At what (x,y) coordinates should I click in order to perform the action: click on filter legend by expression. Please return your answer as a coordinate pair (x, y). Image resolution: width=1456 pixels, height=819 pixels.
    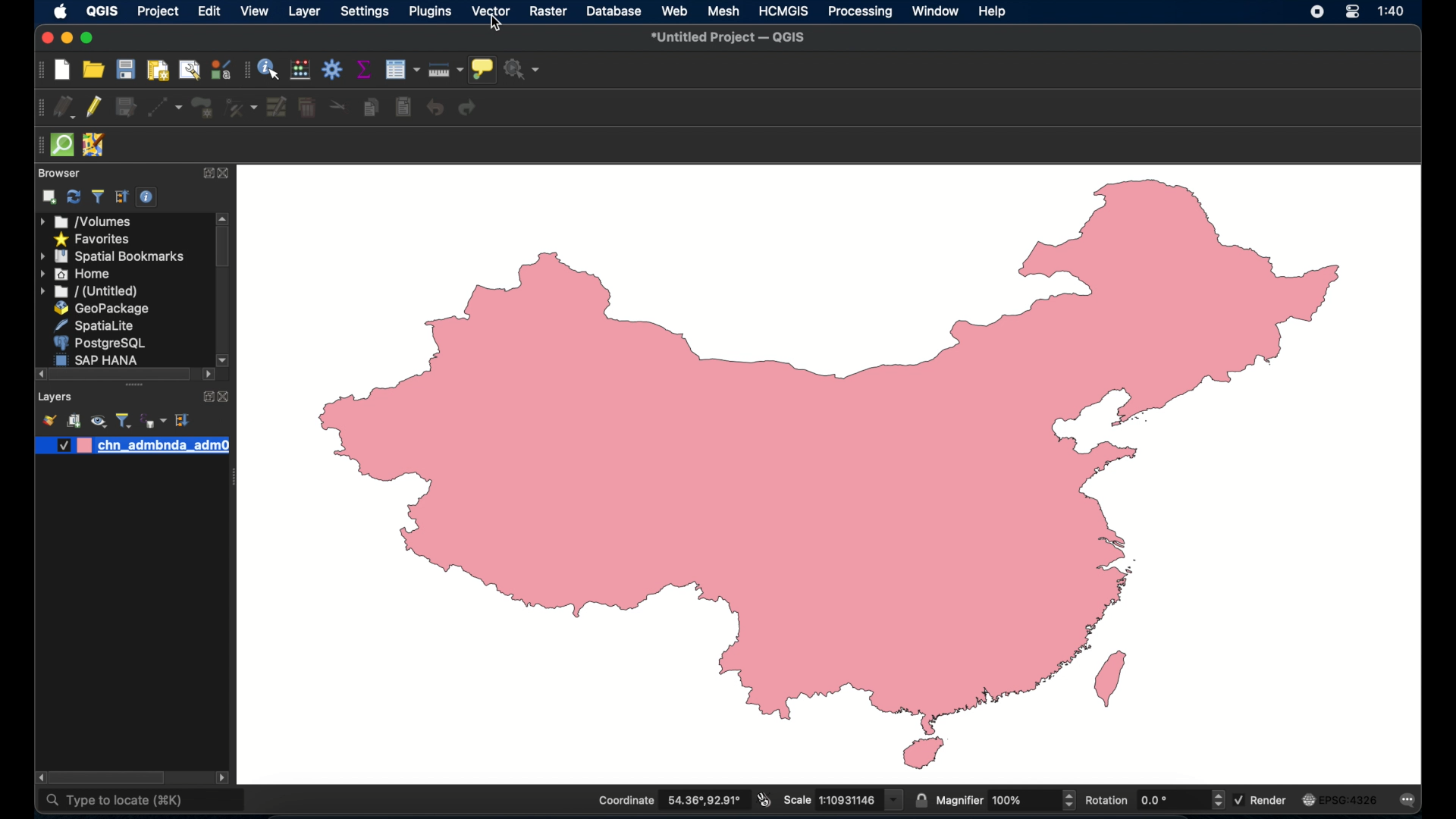
    Looking at the image, I should click on (152, 421).